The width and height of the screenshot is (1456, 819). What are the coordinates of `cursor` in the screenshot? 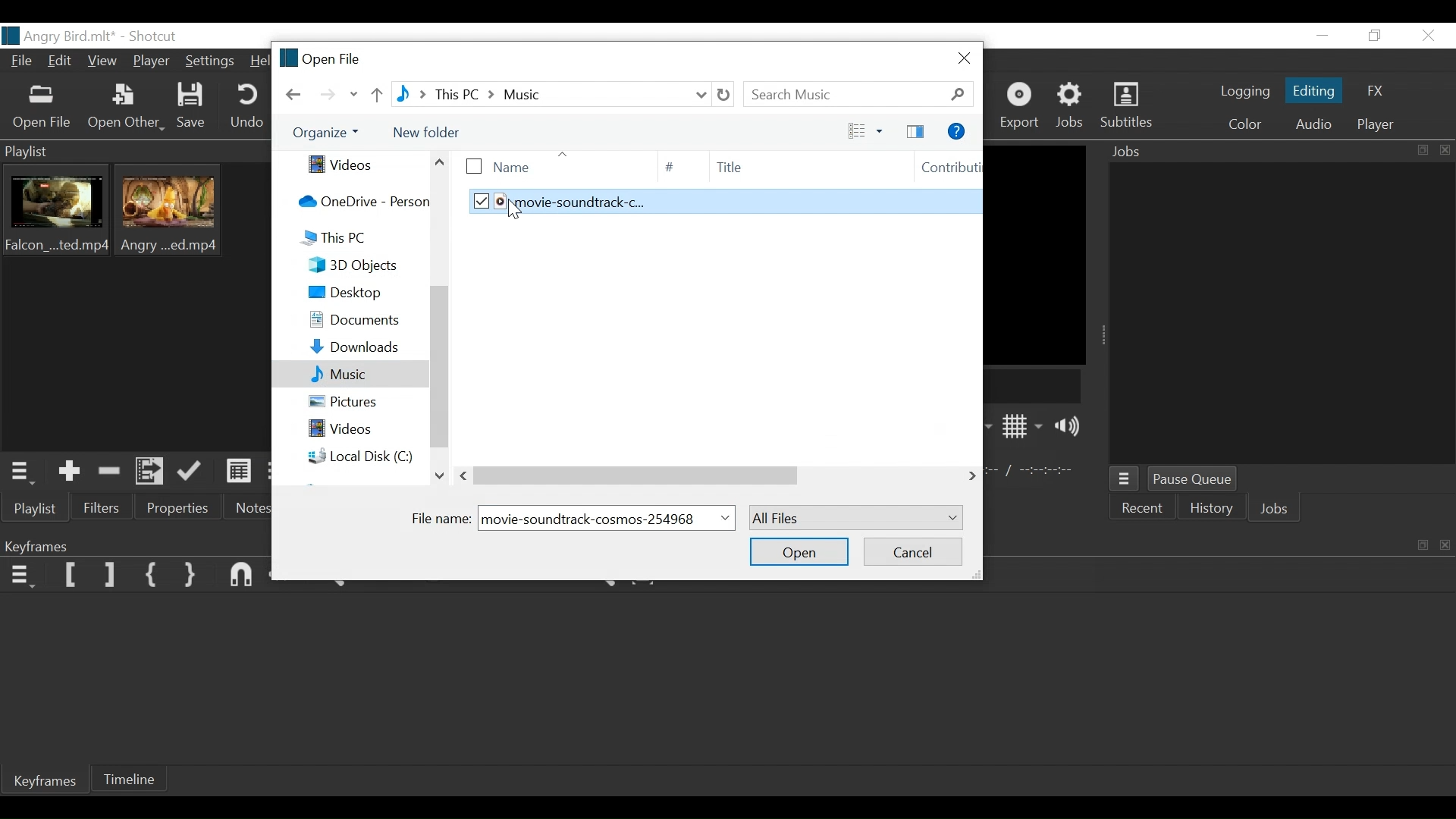 It's located at (519, 211).